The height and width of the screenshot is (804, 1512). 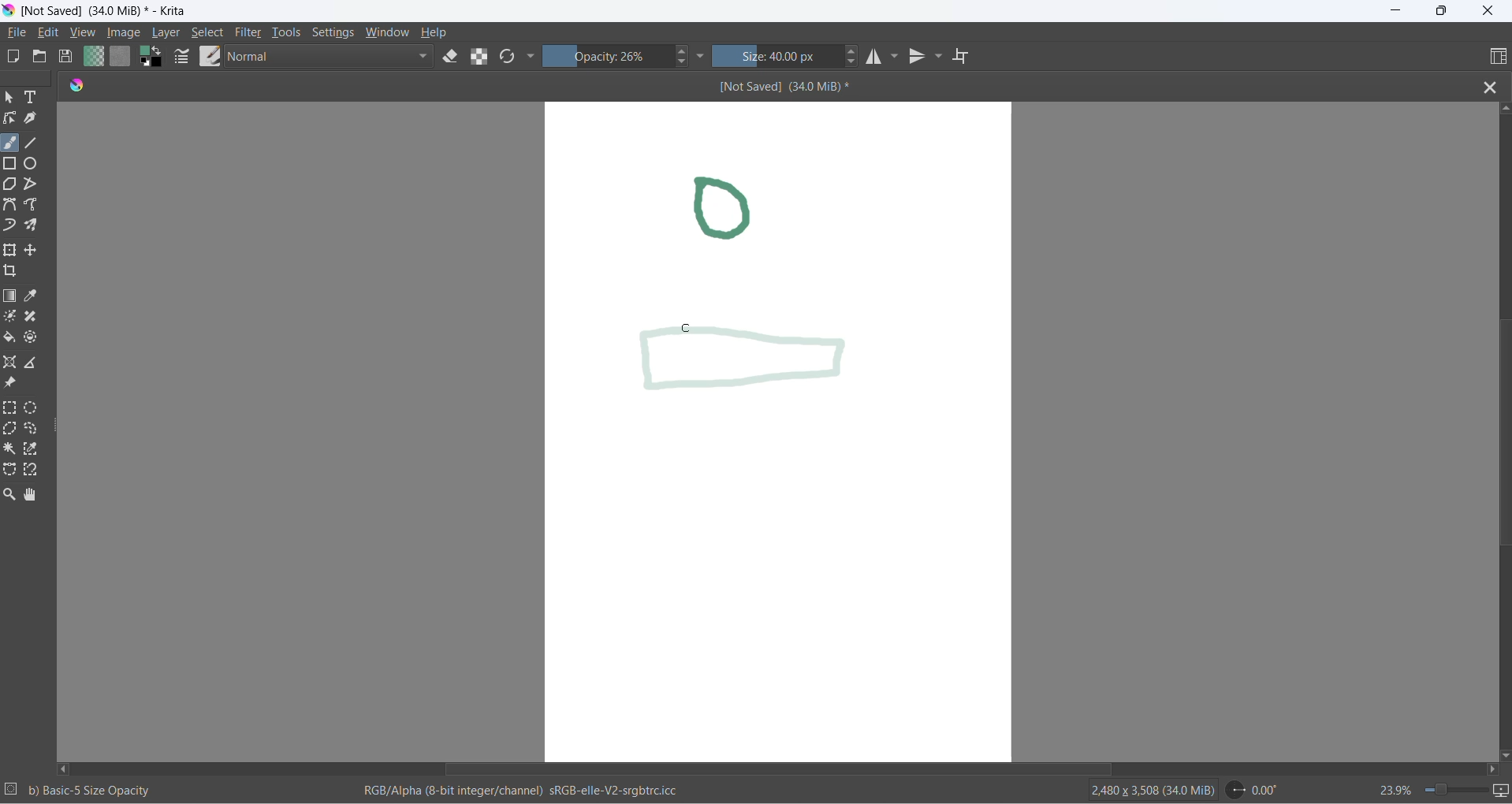 I want to click on measure the distance between two points, so click(x=37, y=362).